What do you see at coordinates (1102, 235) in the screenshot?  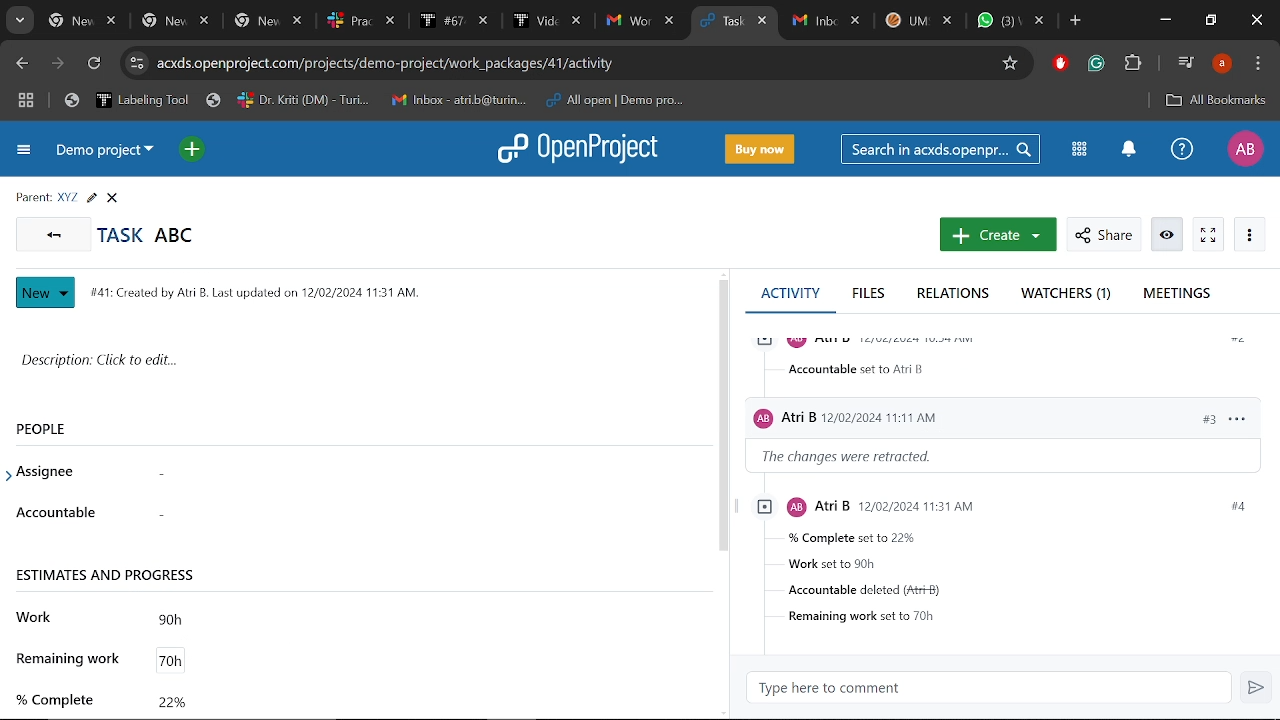 I see `Share` at bounding box center [1102, 235].